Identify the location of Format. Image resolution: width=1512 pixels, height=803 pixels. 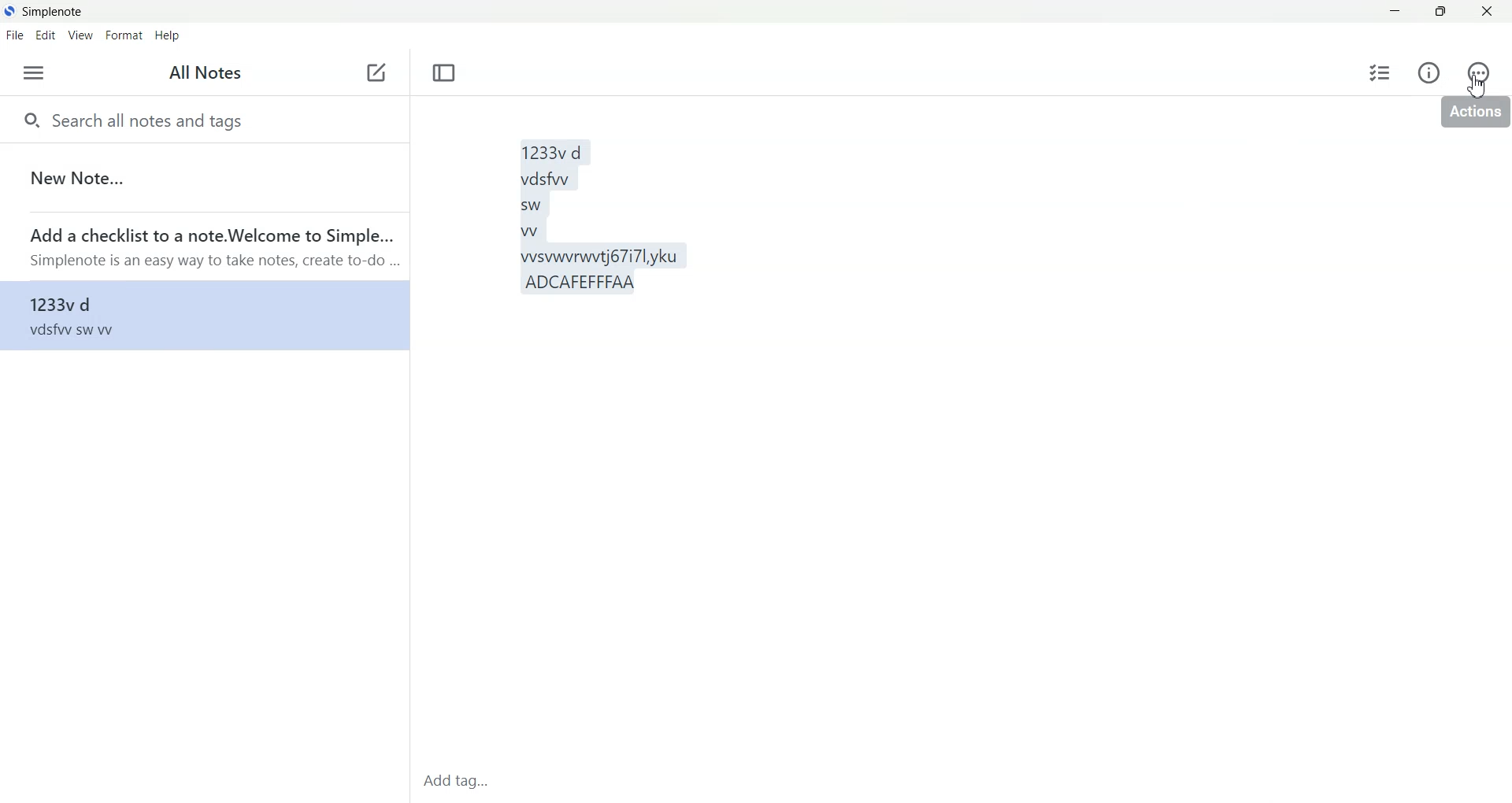
(123, 36).